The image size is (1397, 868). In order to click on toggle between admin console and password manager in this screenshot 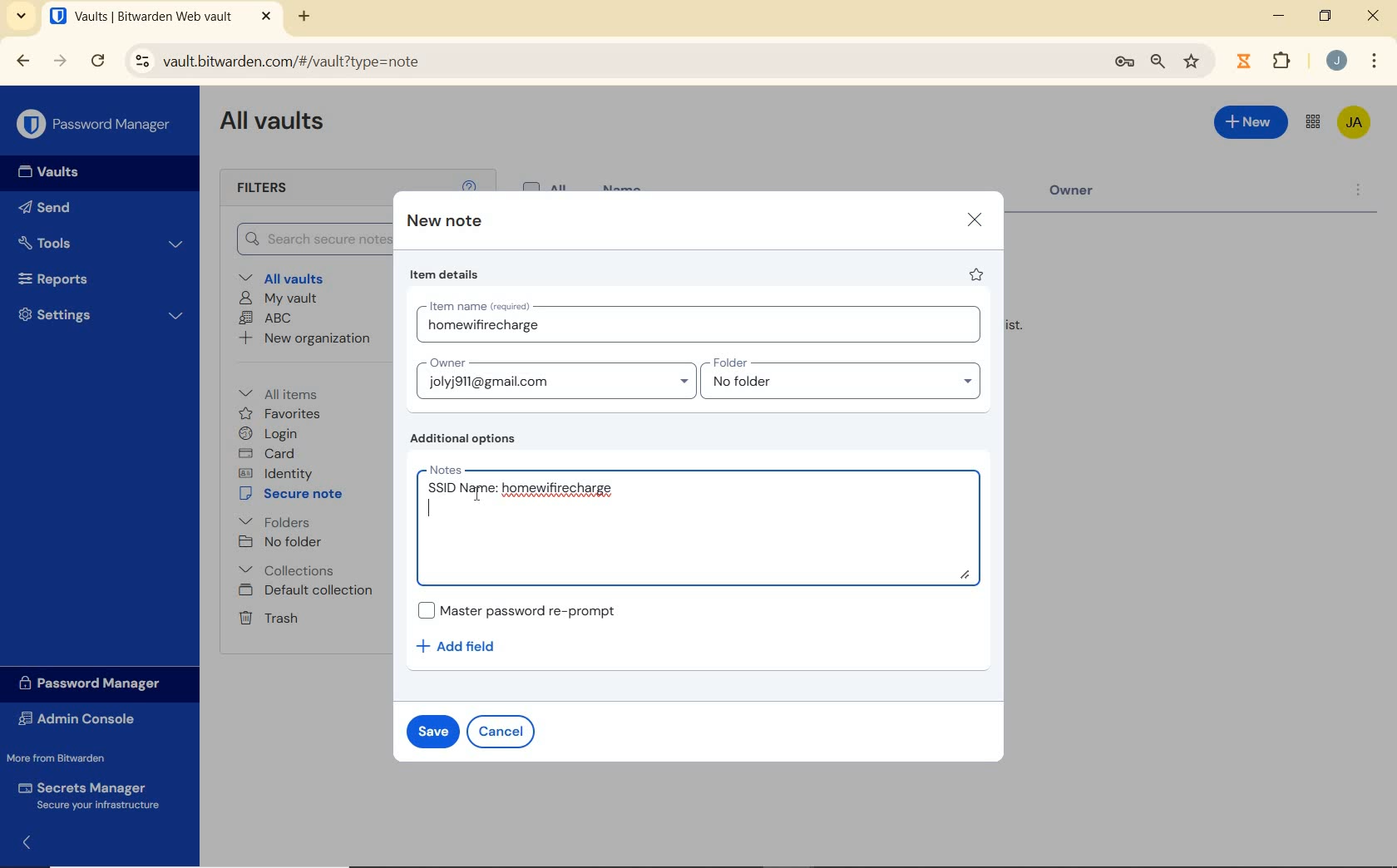, I will do `click(1313, 123)`.